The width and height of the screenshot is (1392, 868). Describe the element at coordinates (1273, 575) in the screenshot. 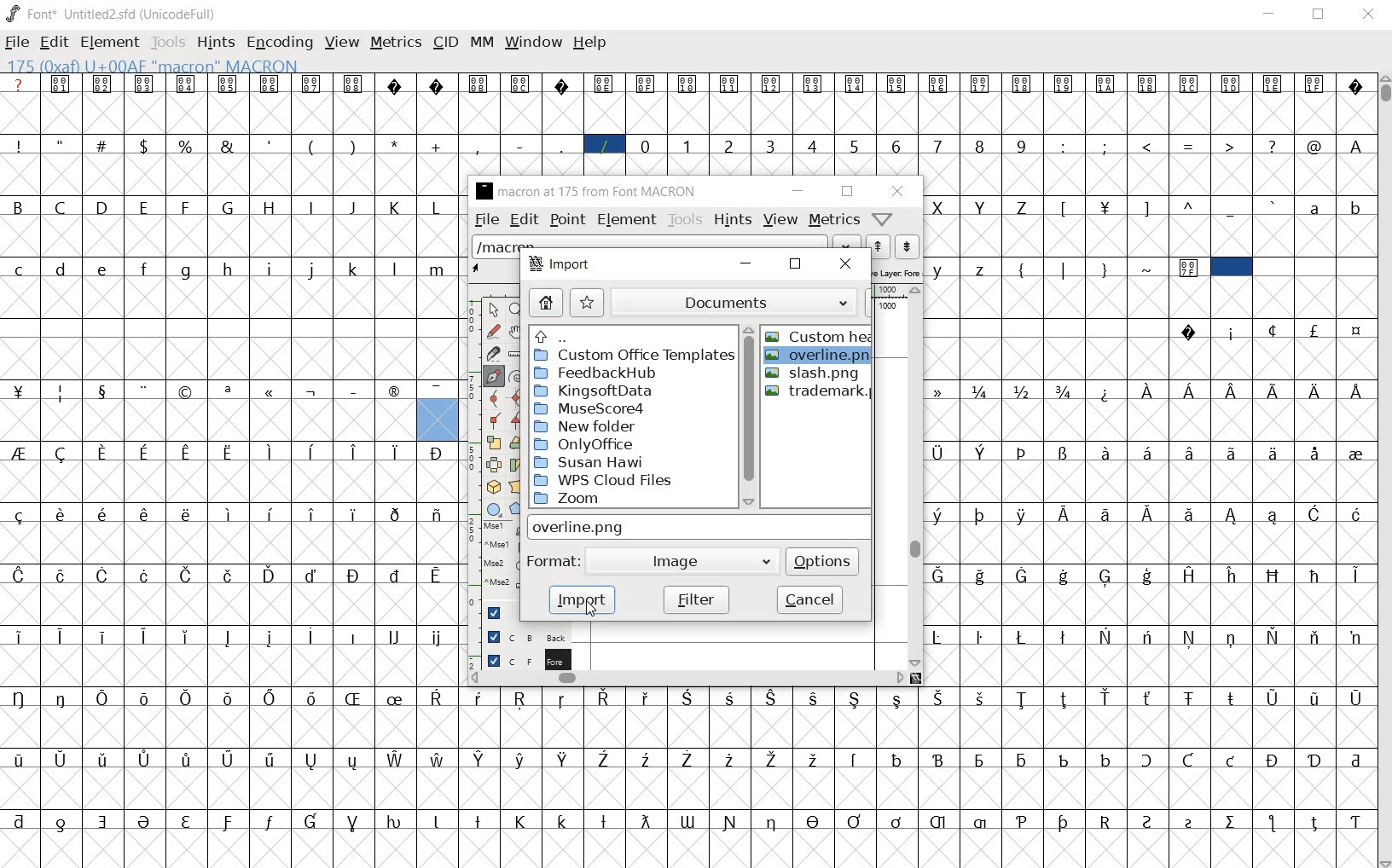

I see `Symbol` at that location.